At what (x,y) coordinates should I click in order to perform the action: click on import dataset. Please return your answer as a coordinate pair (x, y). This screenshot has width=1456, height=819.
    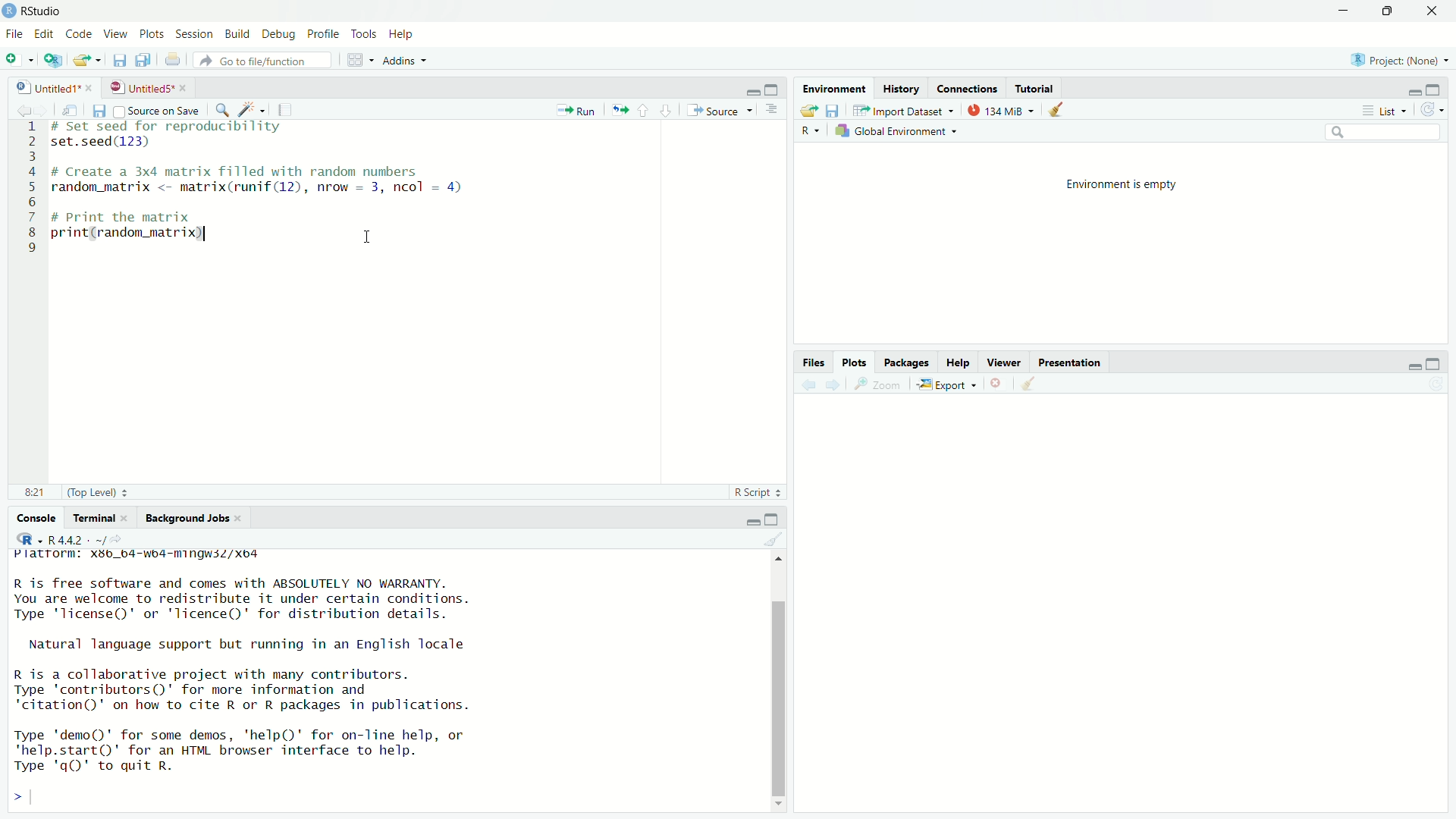
    Looking at the image, I should click on (899, 111).